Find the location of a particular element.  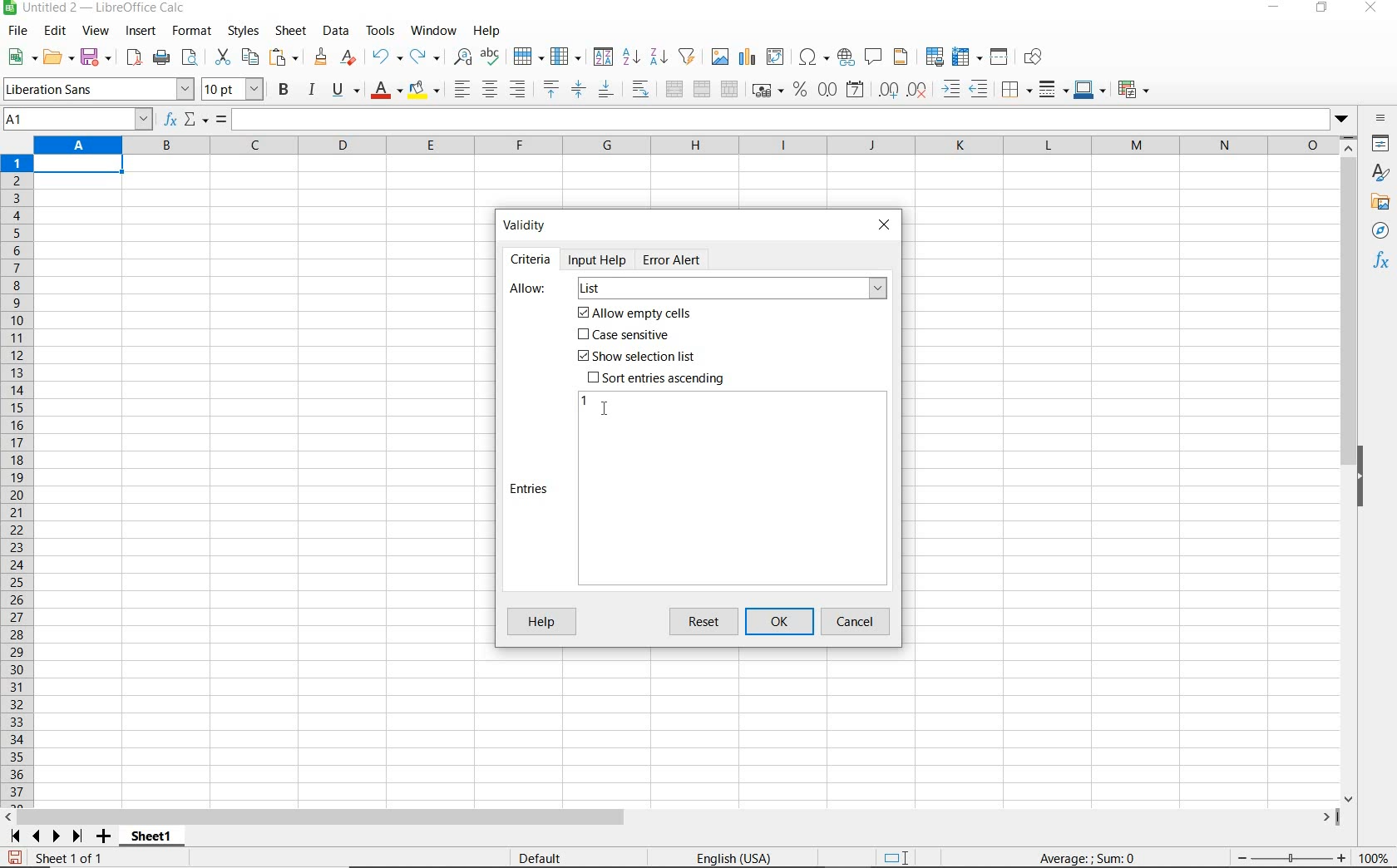

format as number is located at coordinates (827, 89).